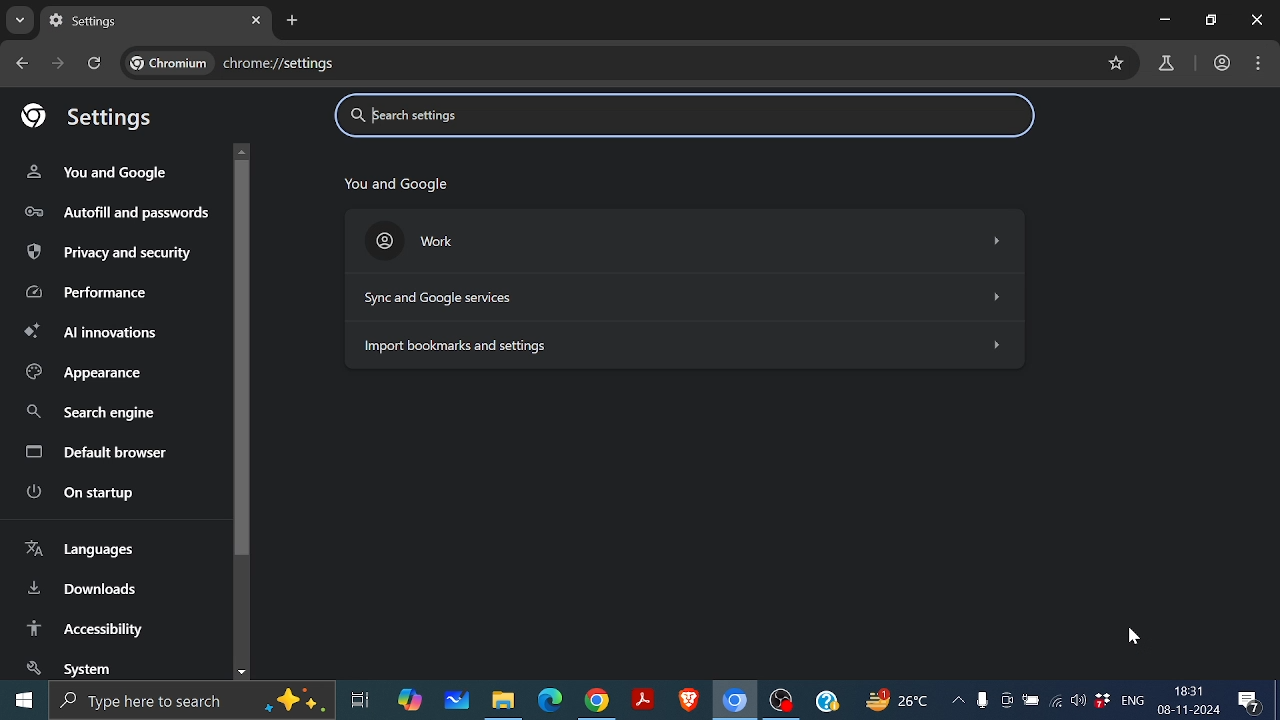  Describe the element at coordinates (982, 704) in the screenshot. I see `voice ` at that location.